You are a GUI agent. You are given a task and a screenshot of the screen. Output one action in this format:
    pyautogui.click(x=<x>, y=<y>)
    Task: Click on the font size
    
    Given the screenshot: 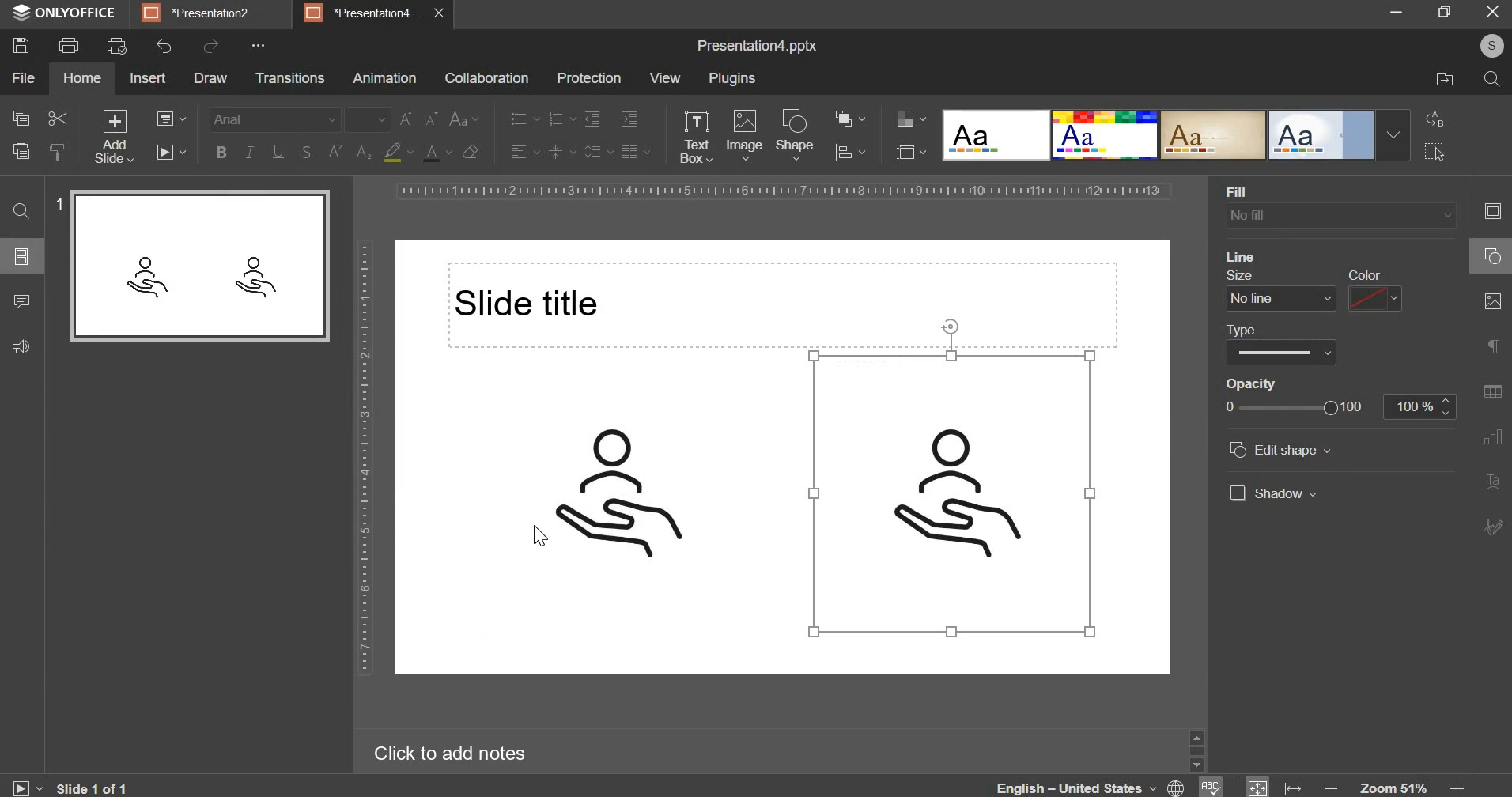 What is the action you would take?
    pyautogui.click(x=369, y=119)
    